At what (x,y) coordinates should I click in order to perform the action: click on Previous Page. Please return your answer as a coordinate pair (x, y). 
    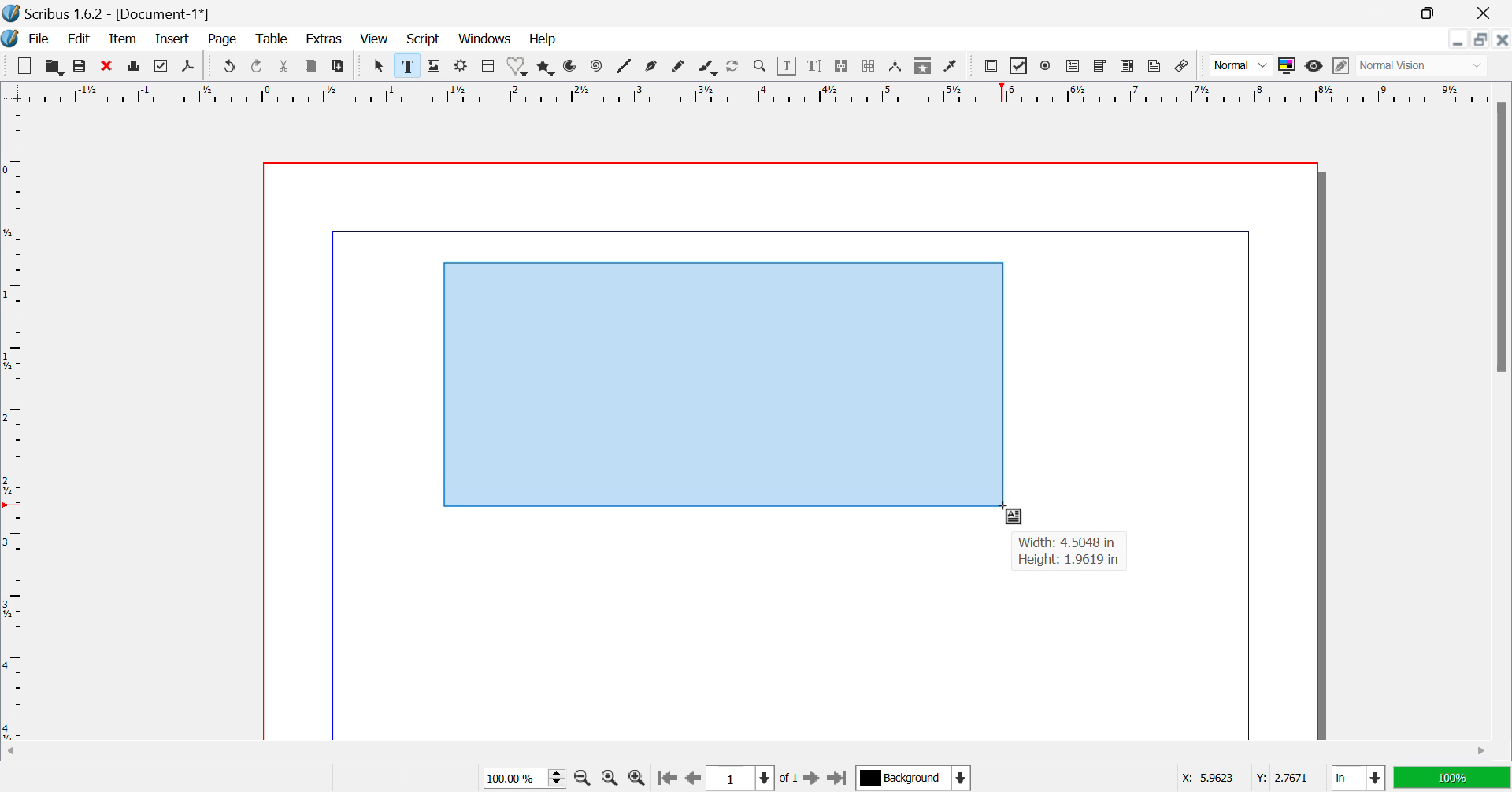
    Looking at the image, I should click on (691, 779).